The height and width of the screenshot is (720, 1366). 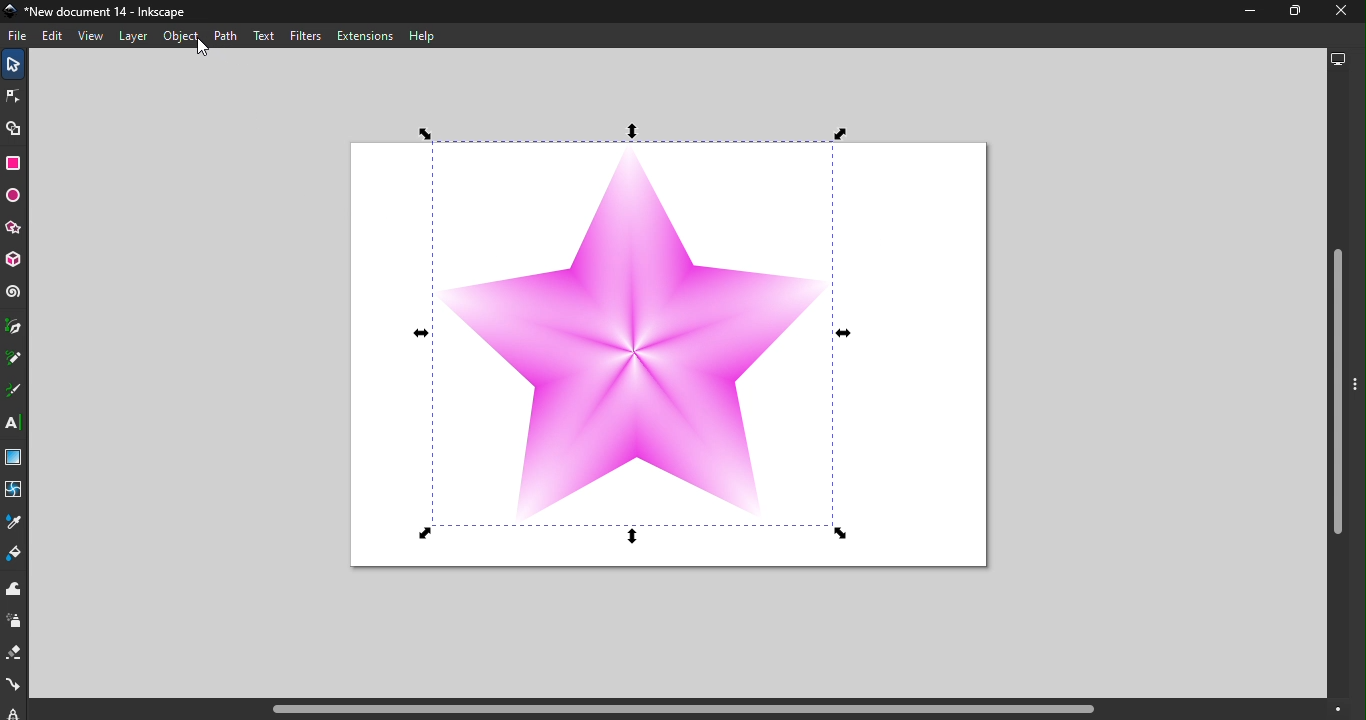 I want to click on Shape builder tool, so click(x=12, y=130).